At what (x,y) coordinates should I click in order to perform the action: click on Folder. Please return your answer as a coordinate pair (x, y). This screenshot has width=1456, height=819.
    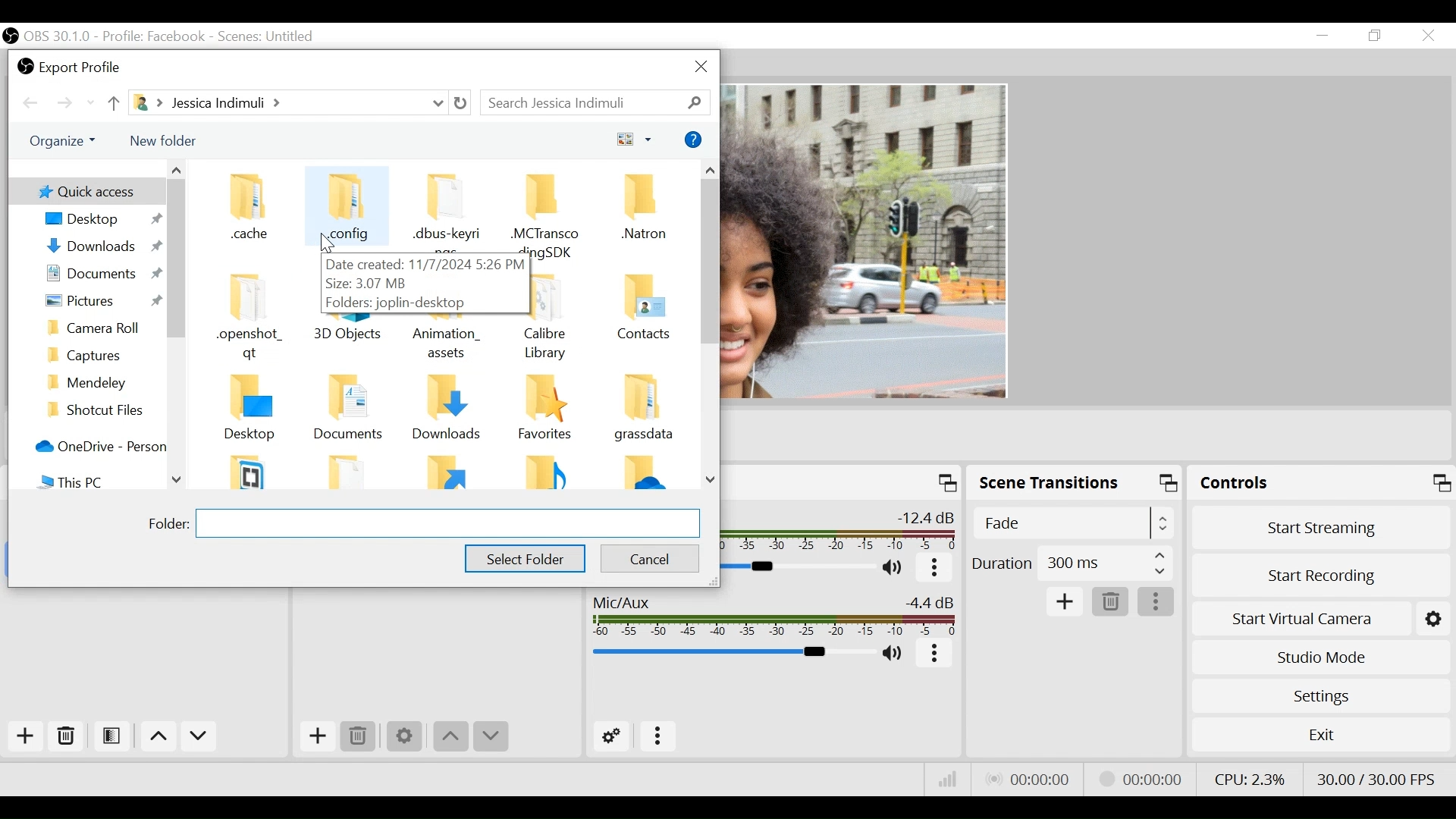
    Looking at the image, I should click on (449, 472).